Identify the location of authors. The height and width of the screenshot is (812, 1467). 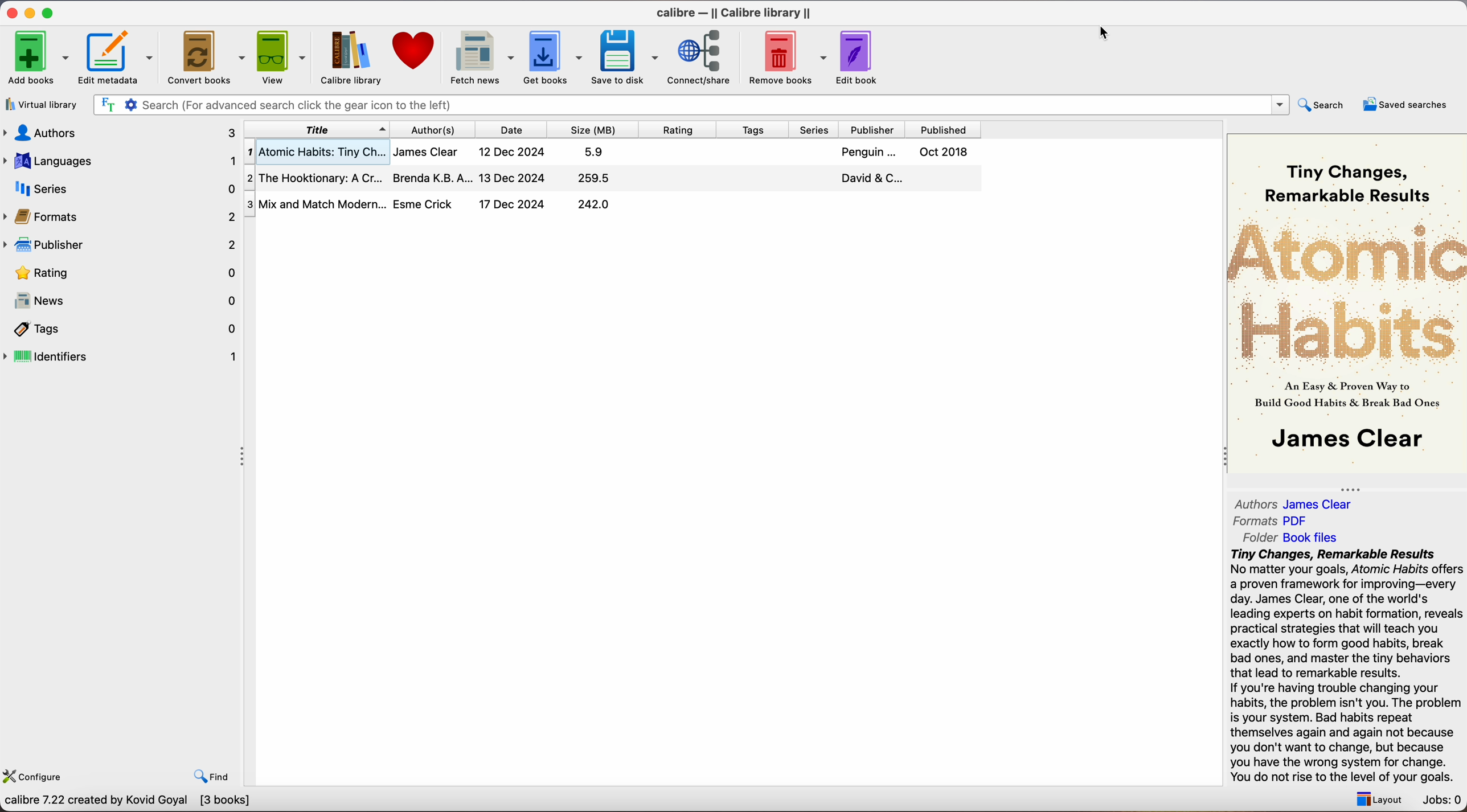
(440, 129).